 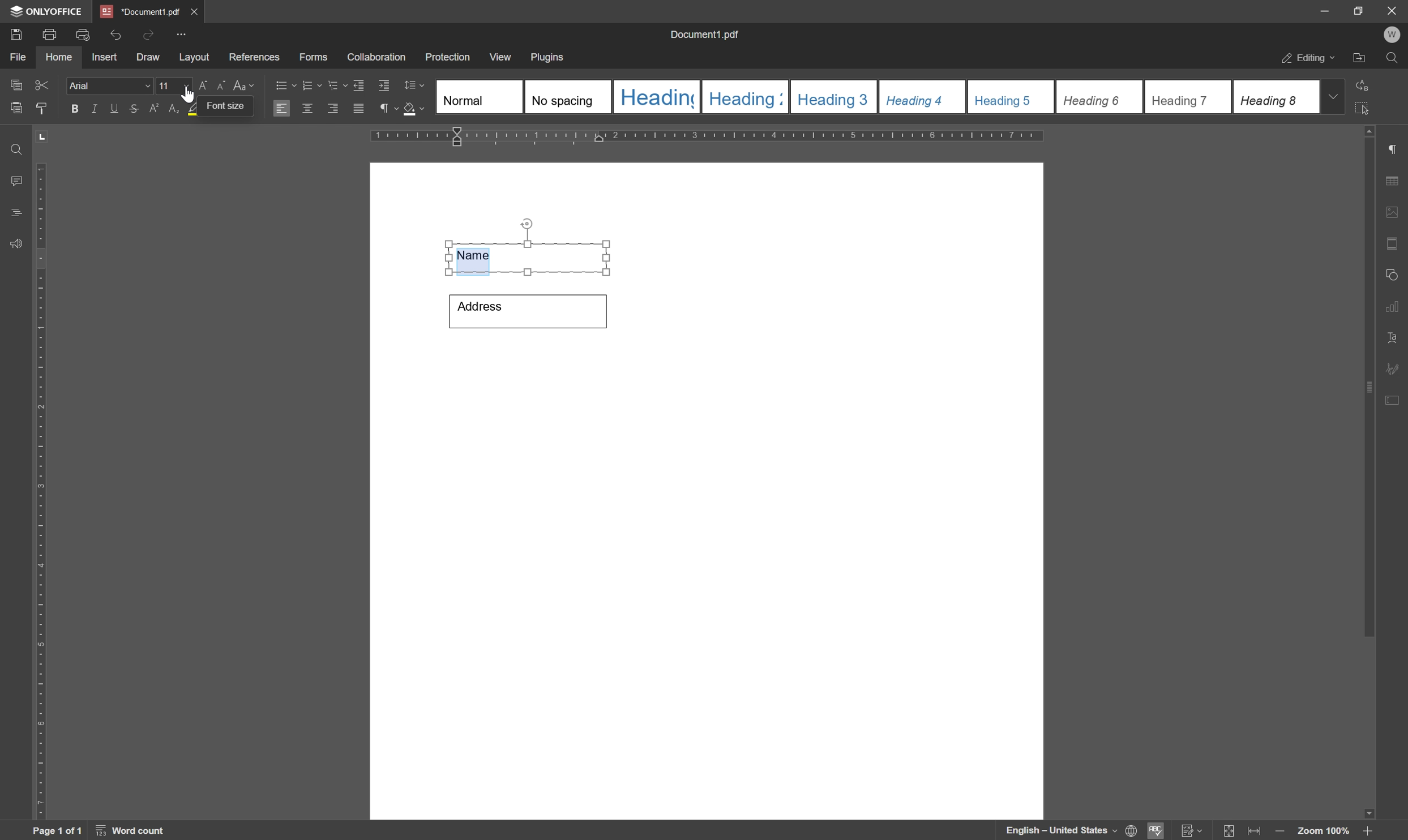 What do you see at coordinates (1395, 61) in the screenshot?
I see `find` at bounding box center [1395, 61].